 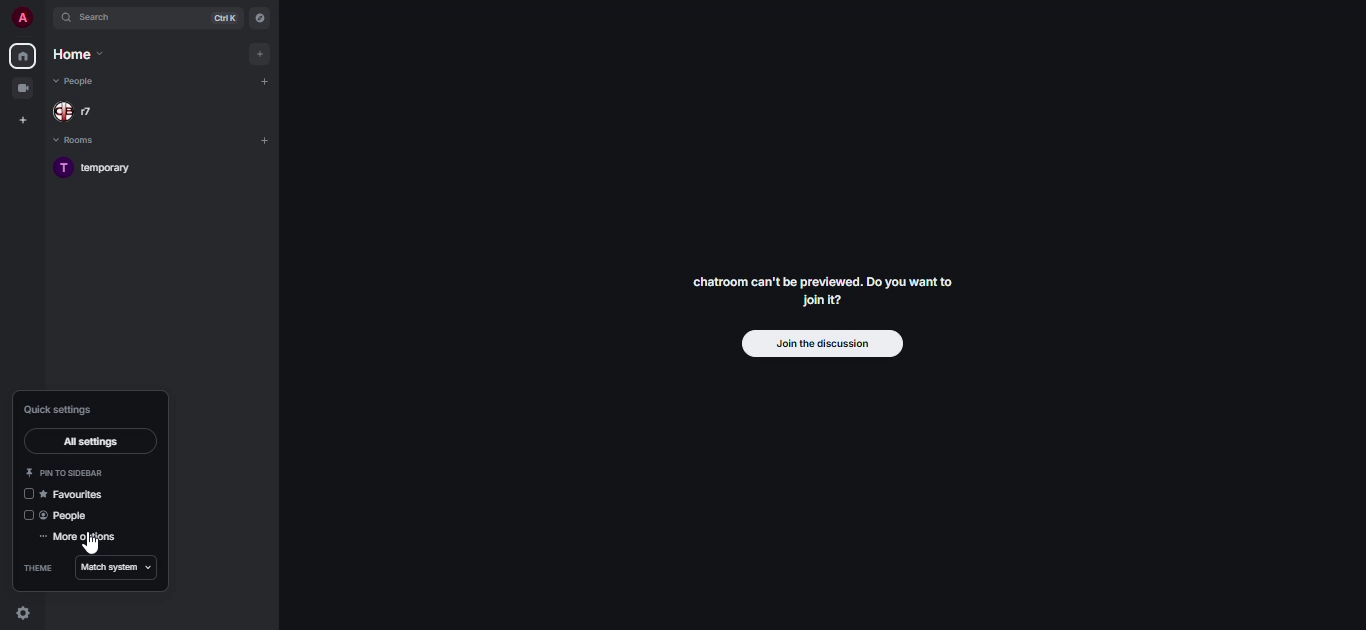 What do you see at coordinates (68, 473) in the screenshot?
I see `pin to sidebar` at bounding box center [68, 473].